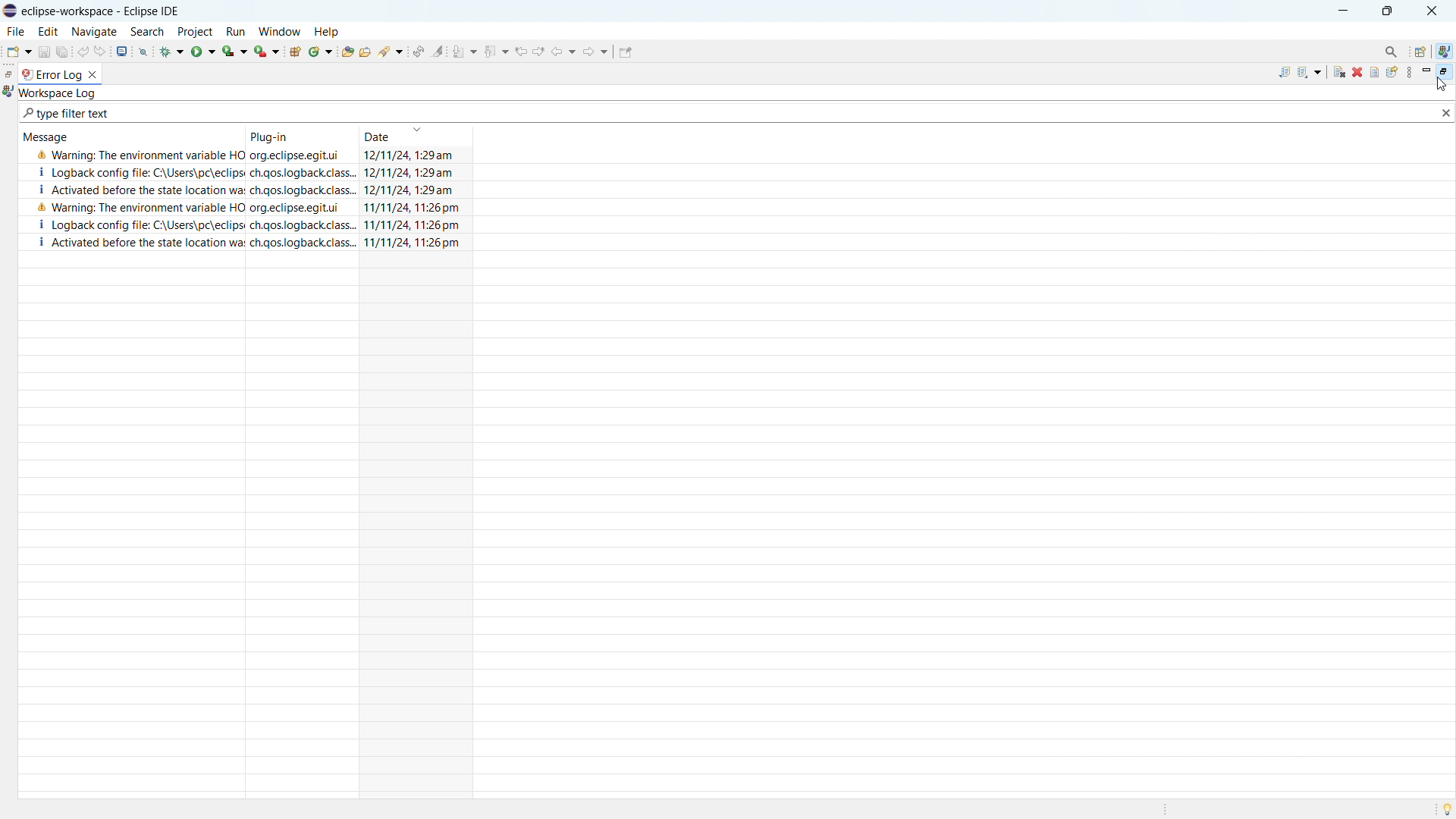 This screenshot has width=1456, height=819. Describe the element at coordinates (134, 207) in the screenshot. I see `Warning: The environment variable HO ` at that location.